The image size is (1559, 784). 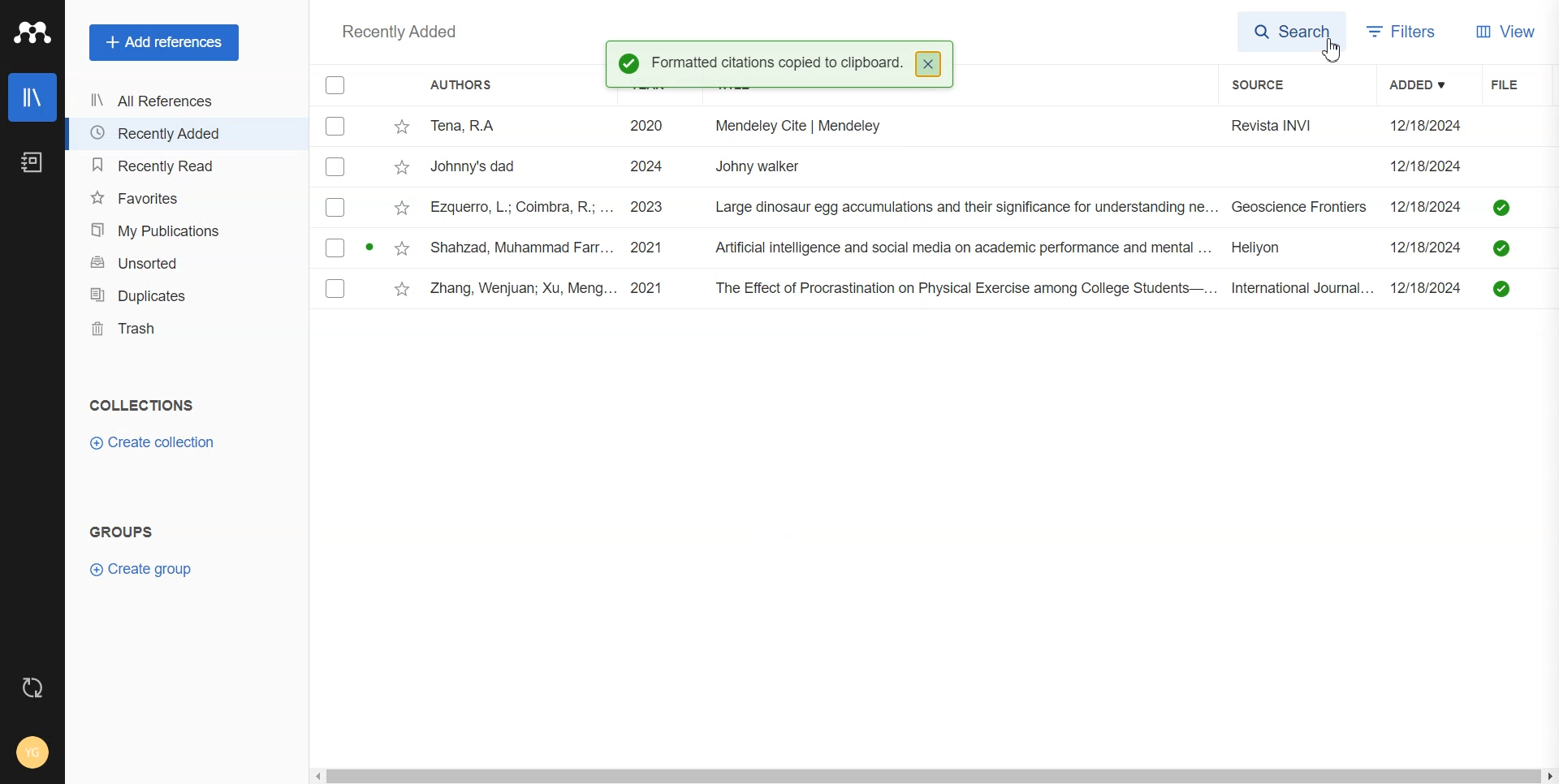 I want to click on Filters, so click(x=1406, y=34).